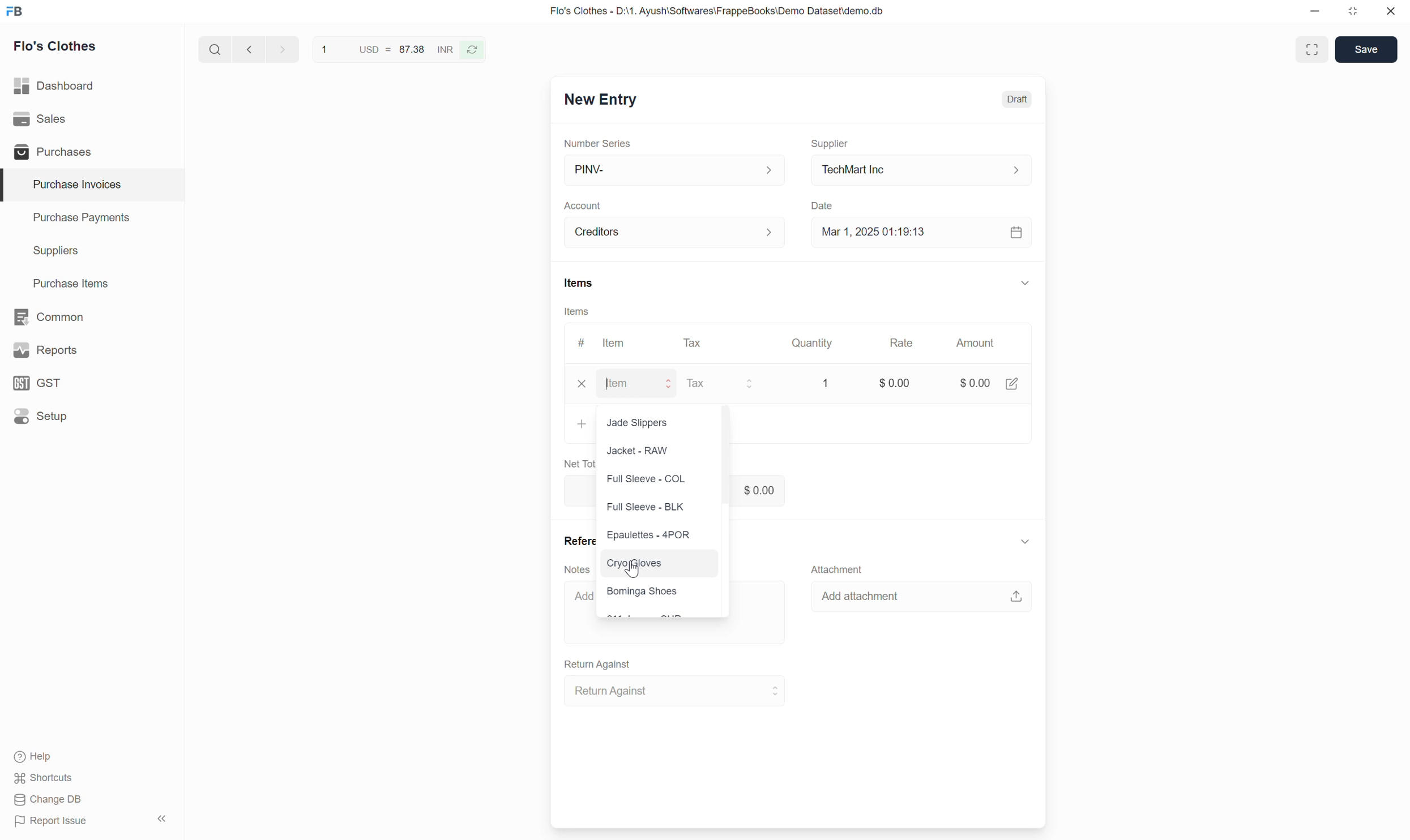 This screenshot has width=1410, height=840. I want to click on cursor, so click(633, 569).